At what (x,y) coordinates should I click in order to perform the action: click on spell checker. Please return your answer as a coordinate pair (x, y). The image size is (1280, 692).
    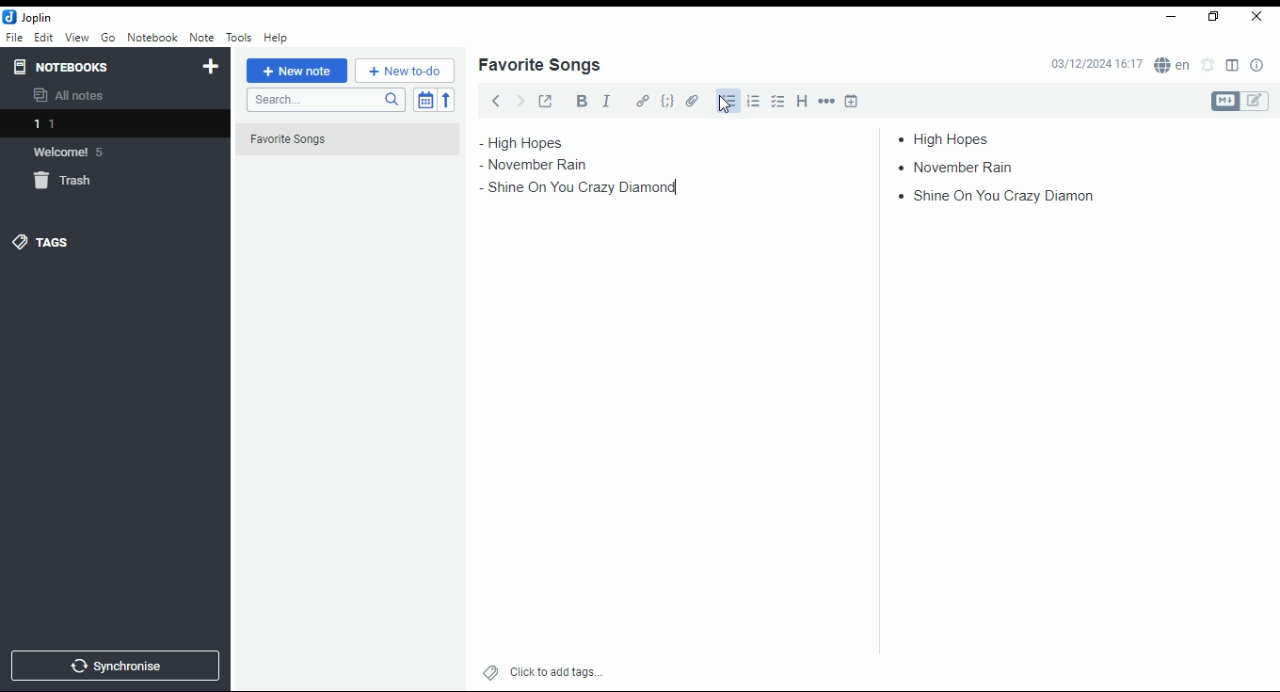
    Looking at the image, I should click on (1174, 64).